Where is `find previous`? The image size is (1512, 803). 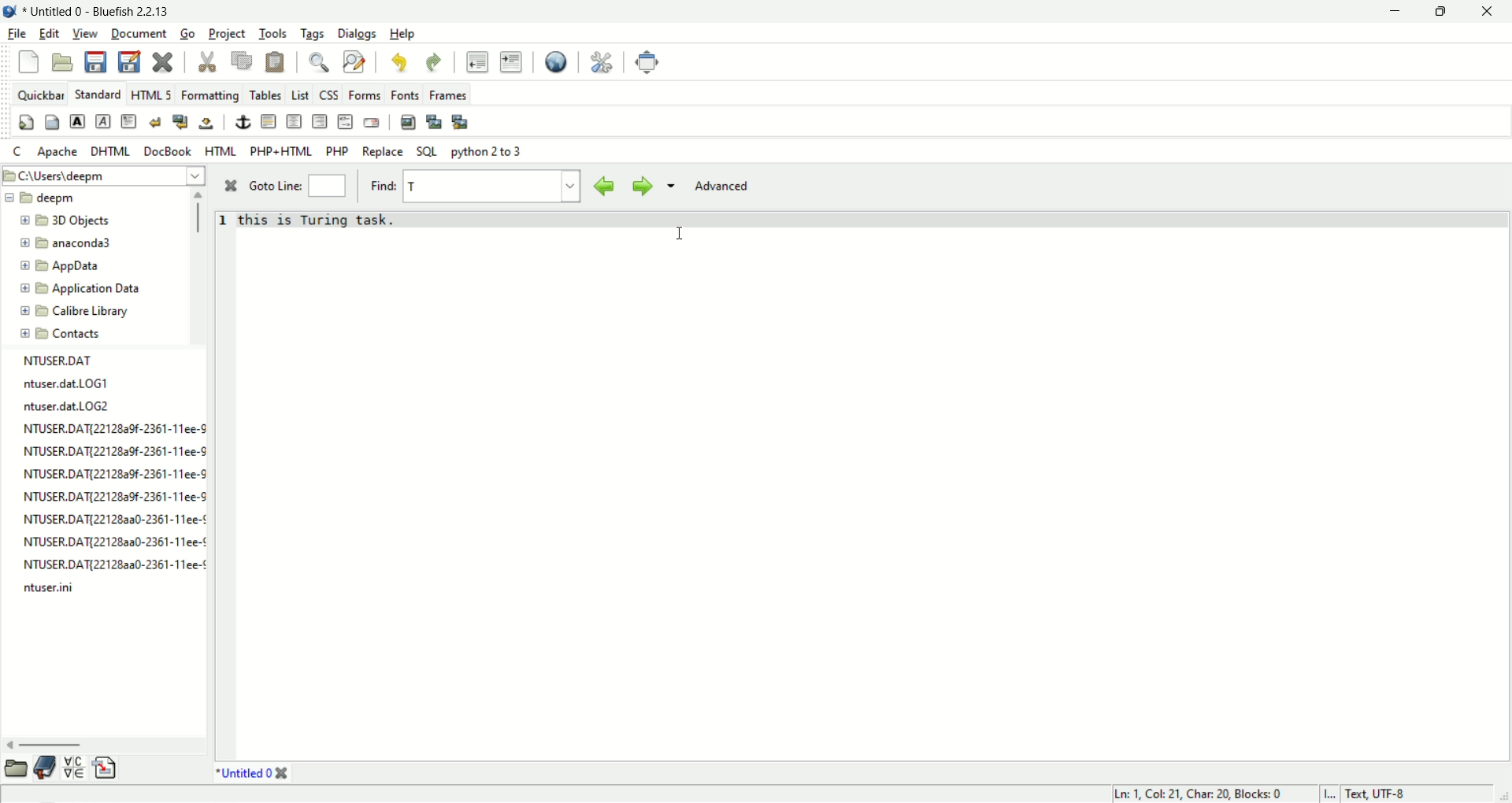
find previous is located at coordinates (605, 187).